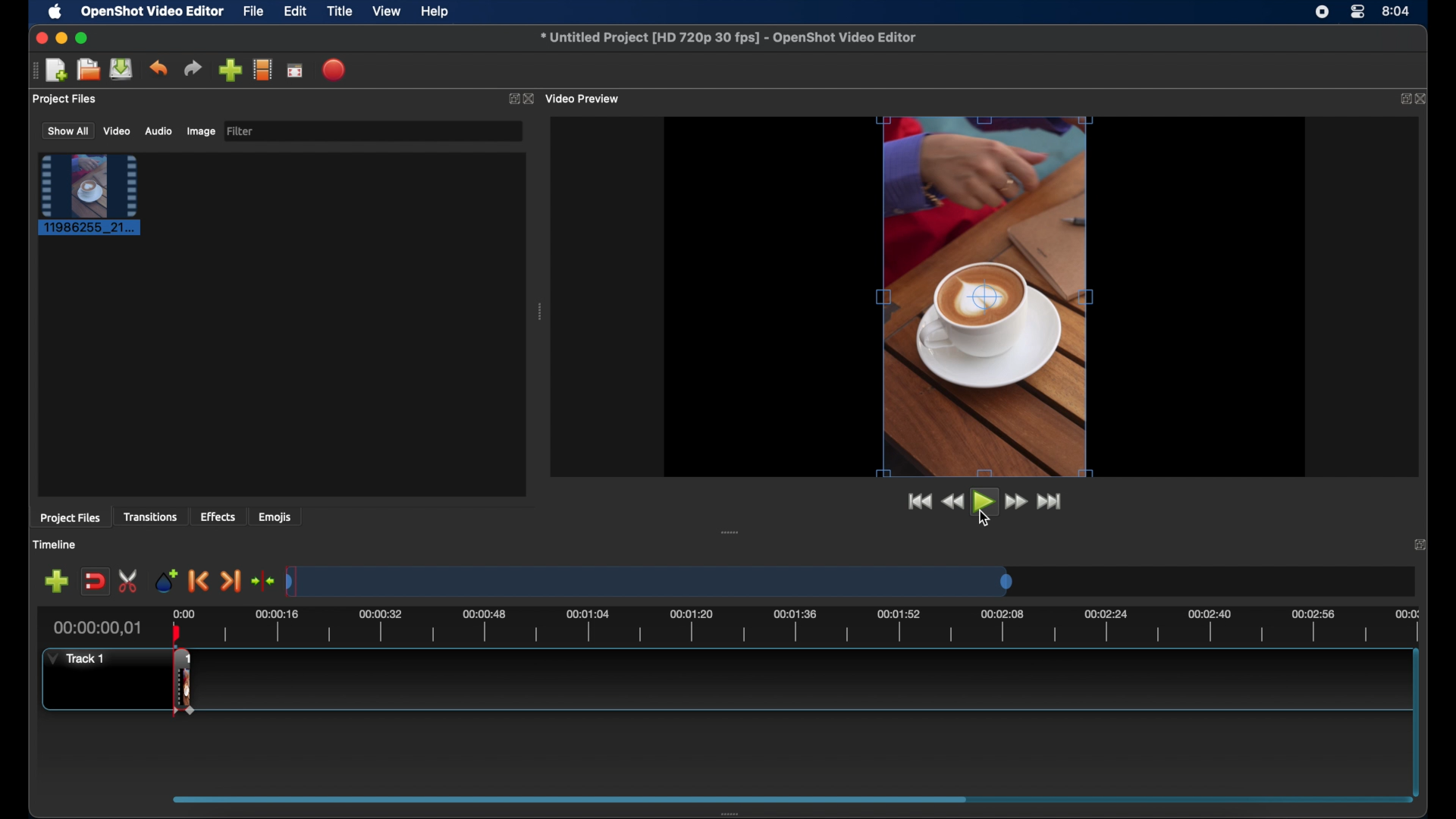 This screenshot has width=1456, height=819. Describe the element at coordinates (731, 532) in the screenshot. I see `drag handle` at that location.